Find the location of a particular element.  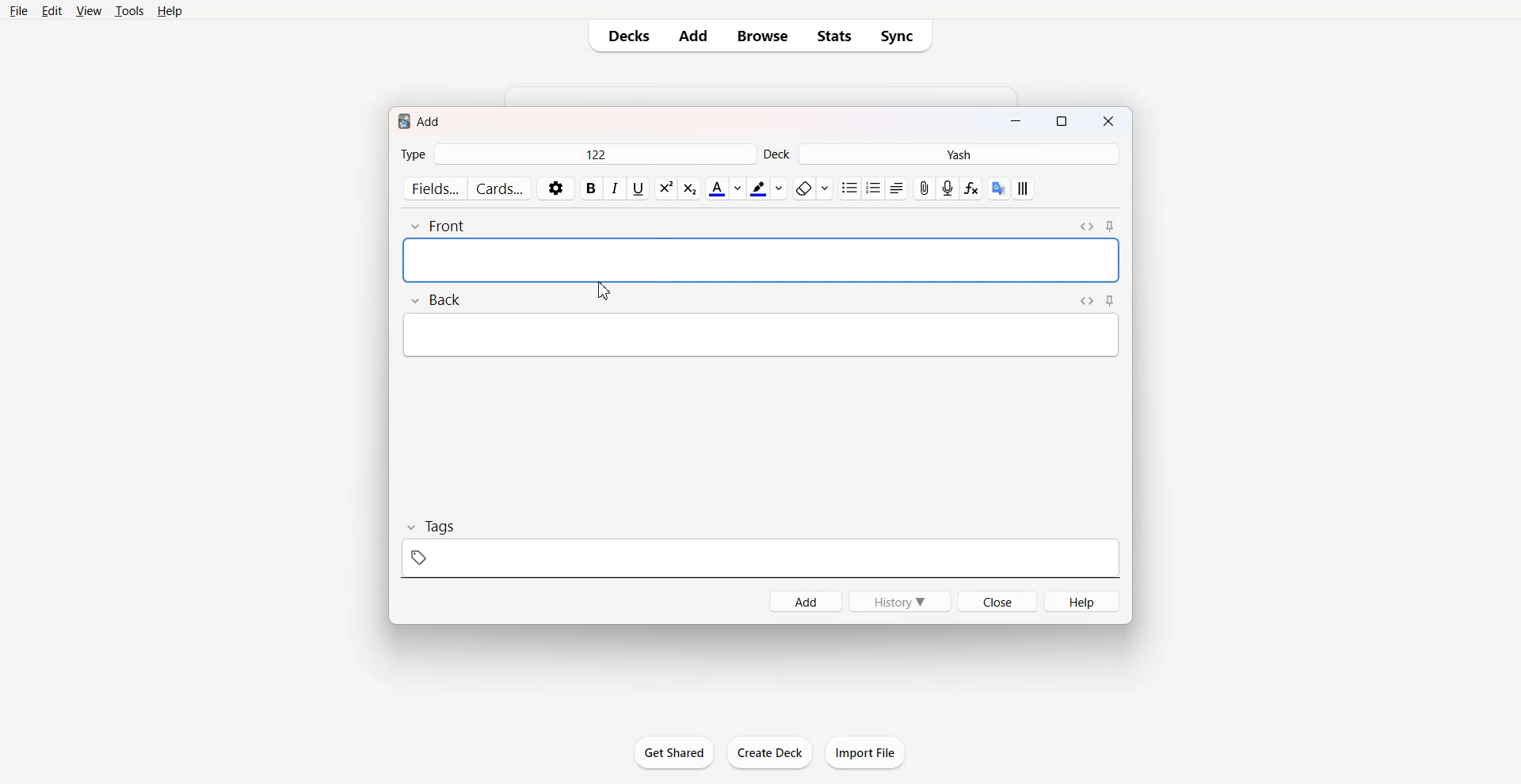

Maximize is located at coordinates (1065, 123).